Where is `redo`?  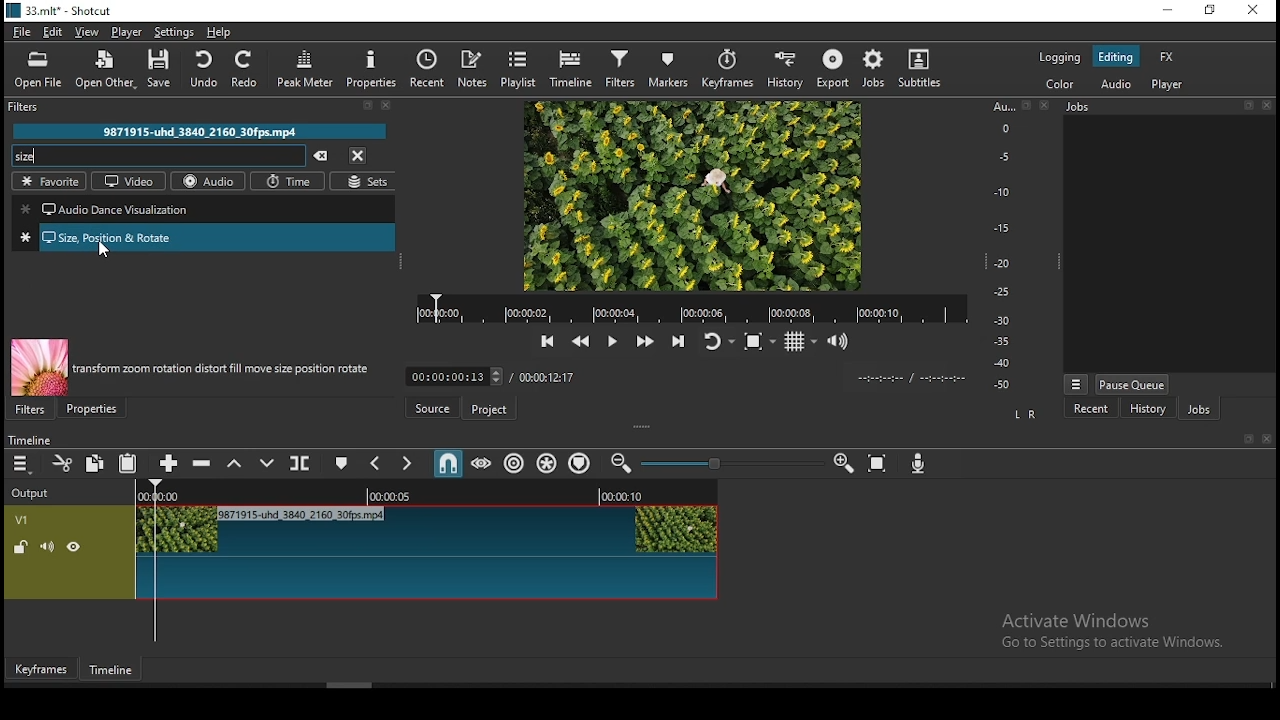 redo is located at coordinates (246, 69).